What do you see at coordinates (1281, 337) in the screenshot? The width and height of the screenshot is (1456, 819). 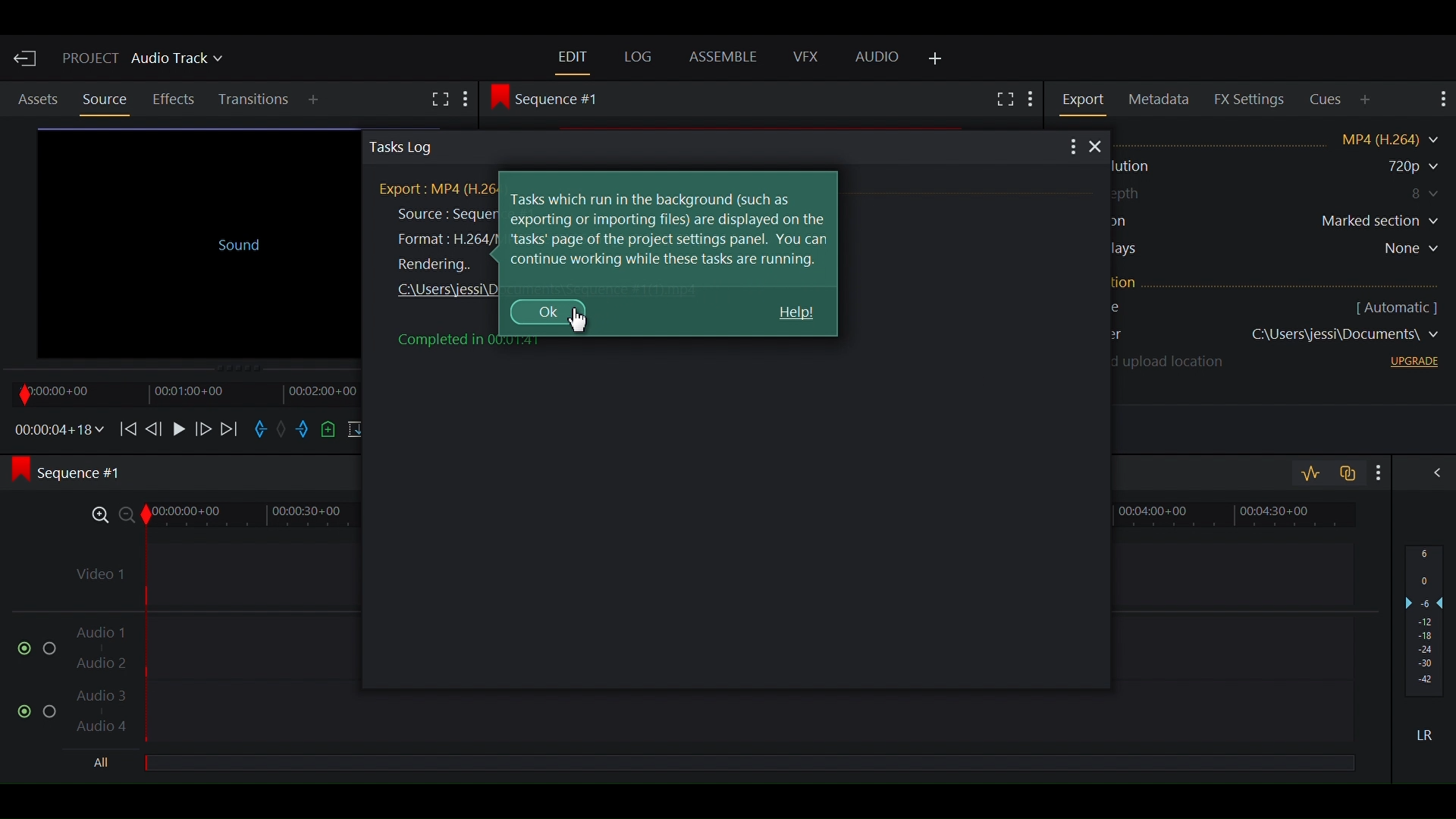 I see `Folder` at bounding box center [1281, 337].